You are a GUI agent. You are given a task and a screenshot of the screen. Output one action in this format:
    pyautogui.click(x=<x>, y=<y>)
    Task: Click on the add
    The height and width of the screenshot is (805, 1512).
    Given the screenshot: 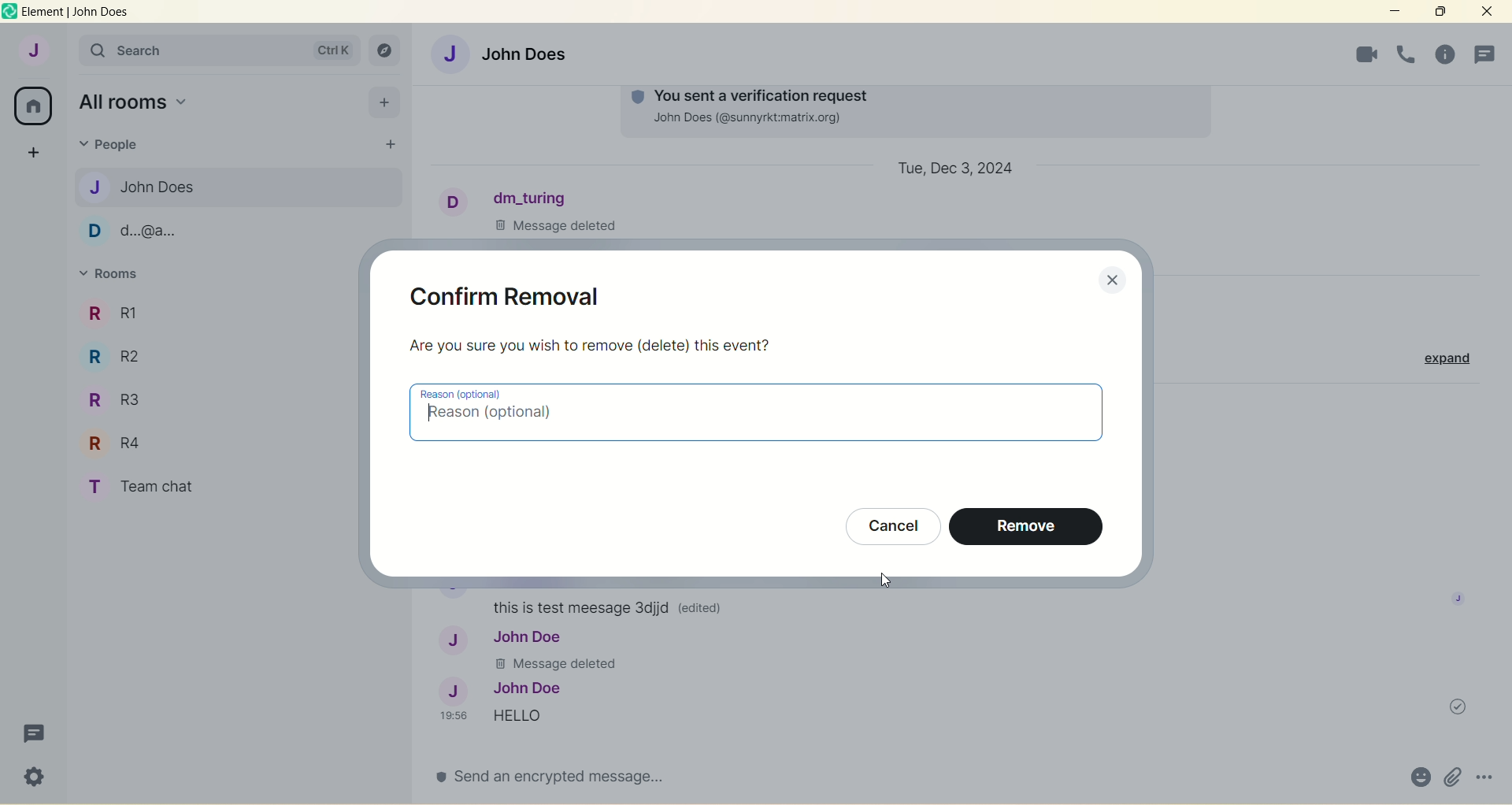 What is the action you would take?
    pyautogui.click(x=384, y=102)
    